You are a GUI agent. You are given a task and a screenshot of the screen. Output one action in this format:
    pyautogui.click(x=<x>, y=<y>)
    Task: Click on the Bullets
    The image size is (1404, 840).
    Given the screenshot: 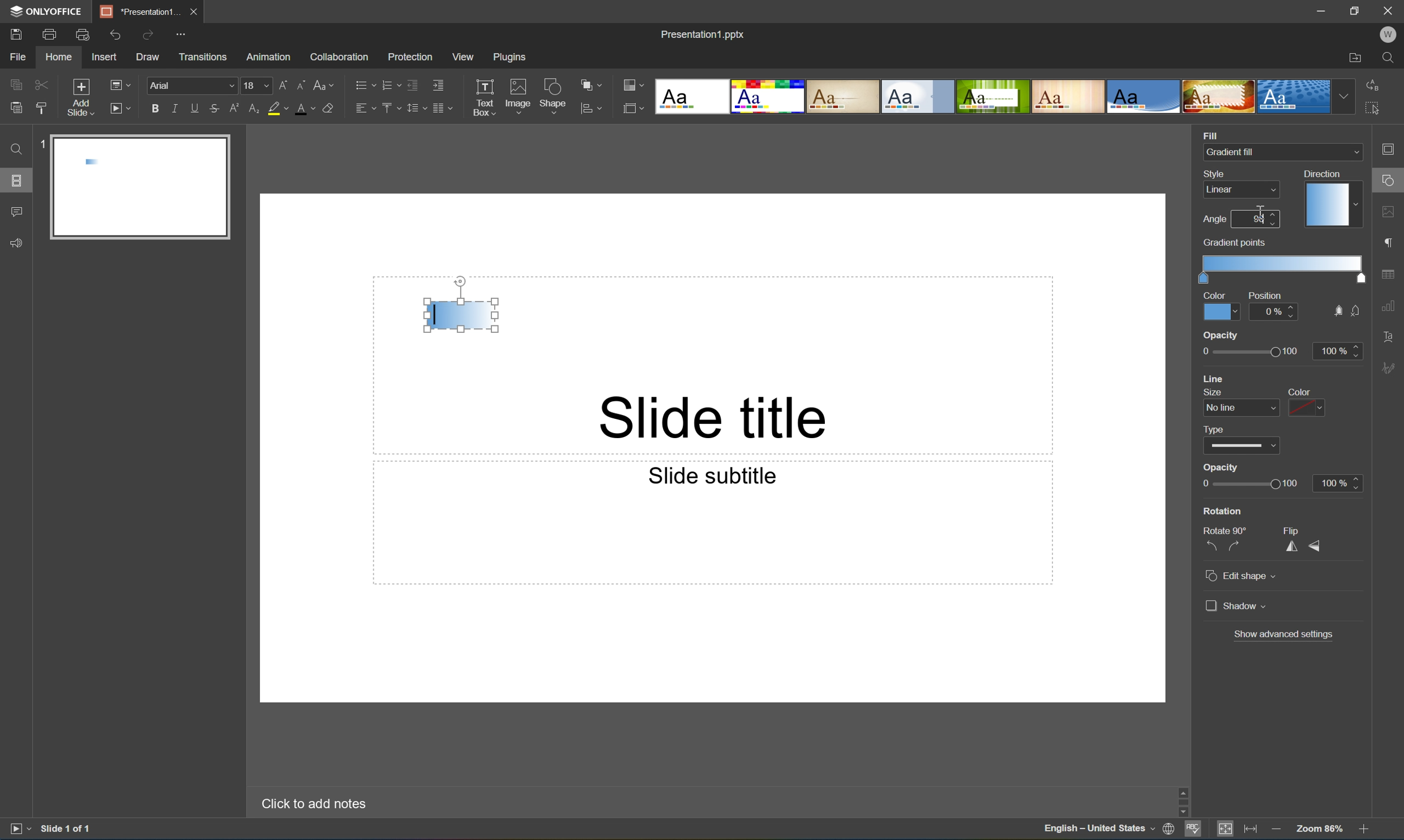 What is the action you would take?
    pyautogui.click(x=362, y=83)
    